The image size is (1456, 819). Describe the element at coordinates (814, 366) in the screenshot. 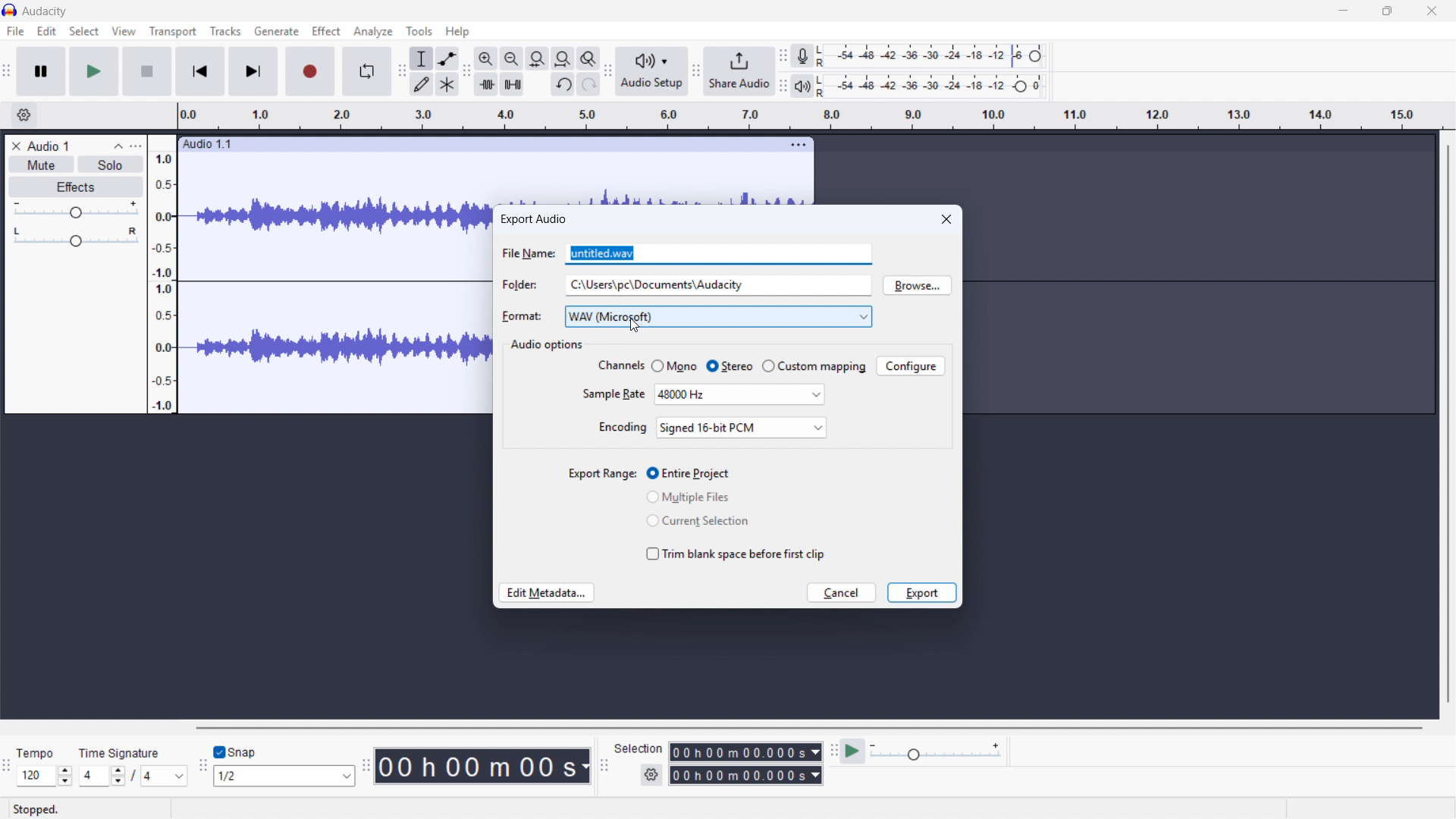

I see `Custom mapping ` at that location.